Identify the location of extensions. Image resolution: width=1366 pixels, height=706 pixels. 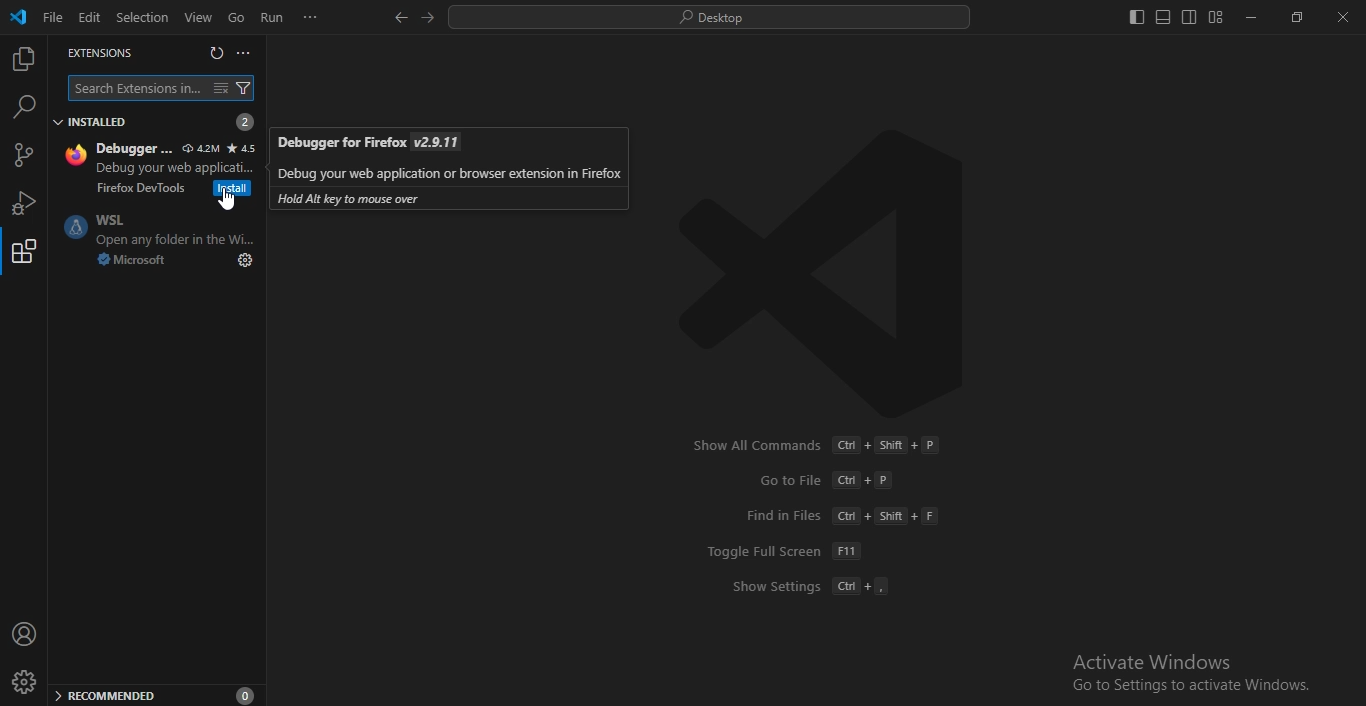
(97, 53).